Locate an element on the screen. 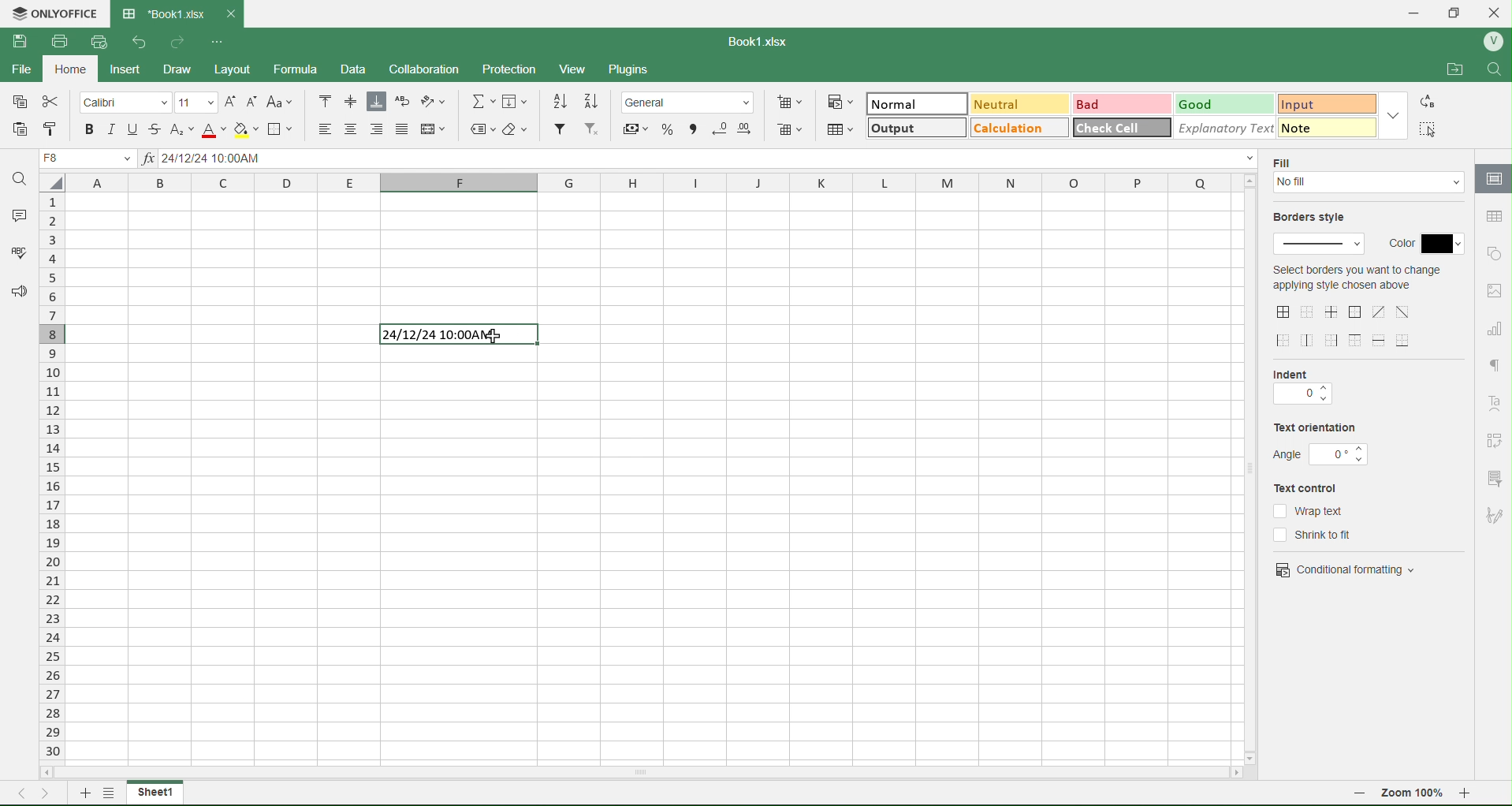  Select All is located at coordinates (1431, 129).